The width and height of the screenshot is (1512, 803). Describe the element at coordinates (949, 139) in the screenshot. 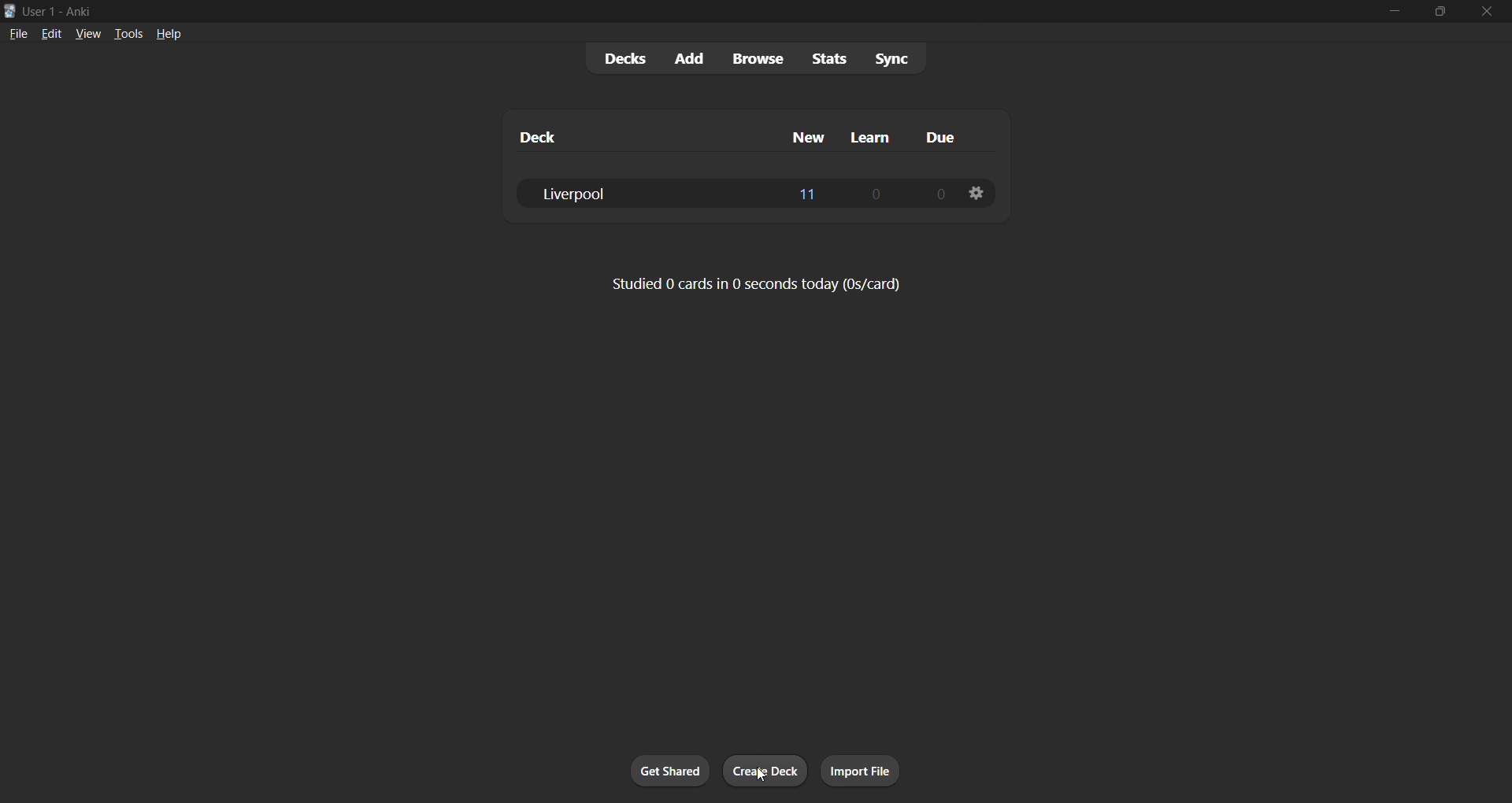

I see `due column` at that location.